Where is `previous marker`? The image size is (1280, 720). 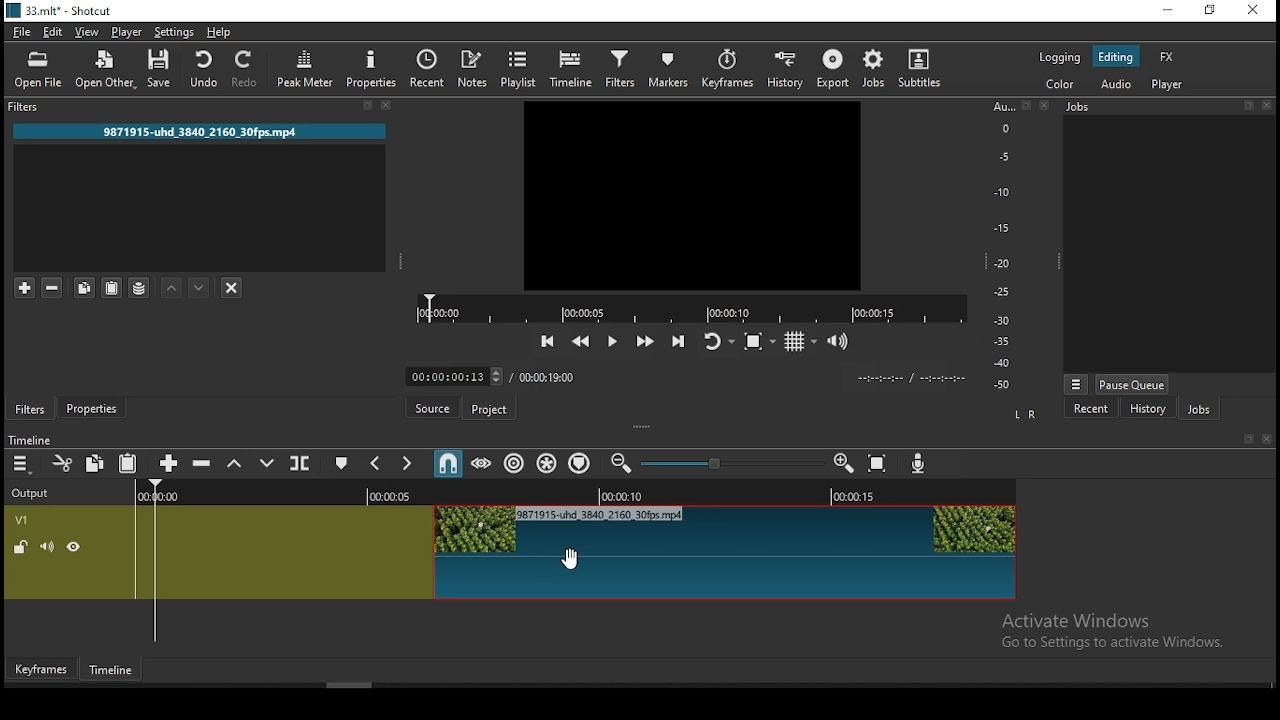 previous marker is located at coordinates (379, 461).